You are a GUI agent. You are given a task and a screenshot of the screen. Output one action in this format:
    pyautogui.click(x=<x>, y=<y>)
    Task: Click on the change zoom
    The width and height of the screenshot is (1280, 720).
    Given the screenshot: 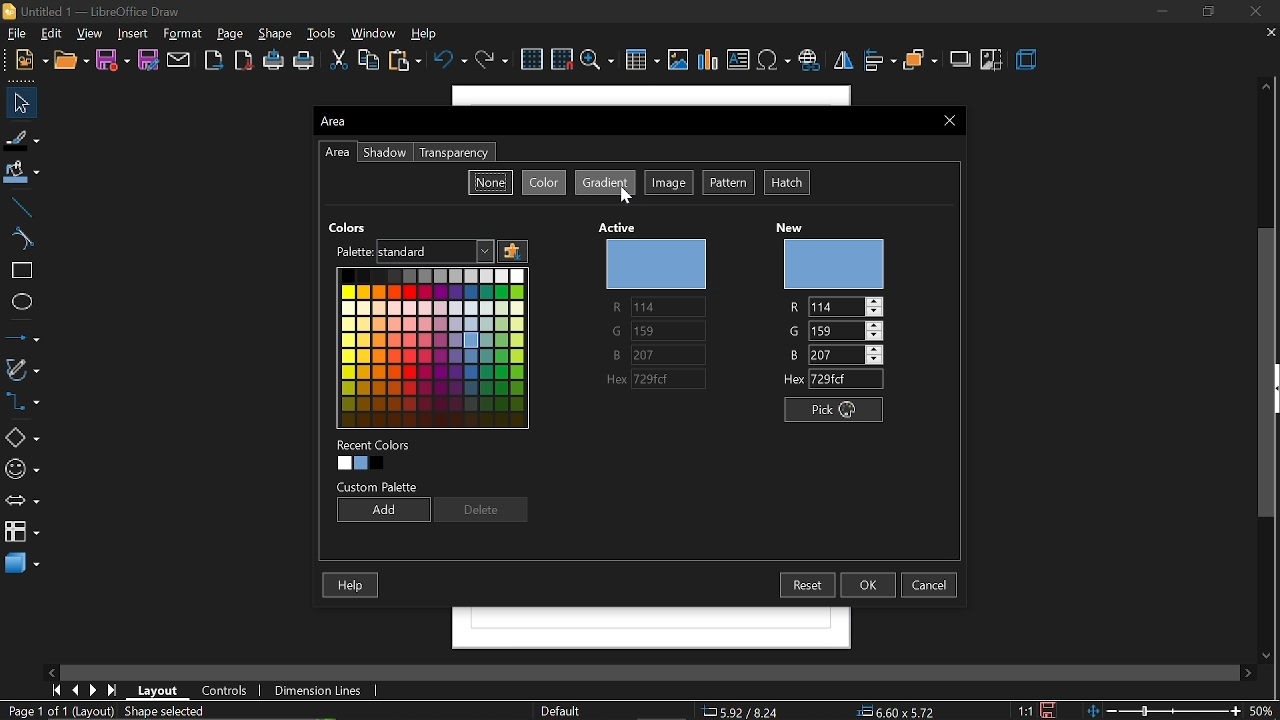 What is the action you would take?
    pyautogui.click(x=1182, y=712)
    